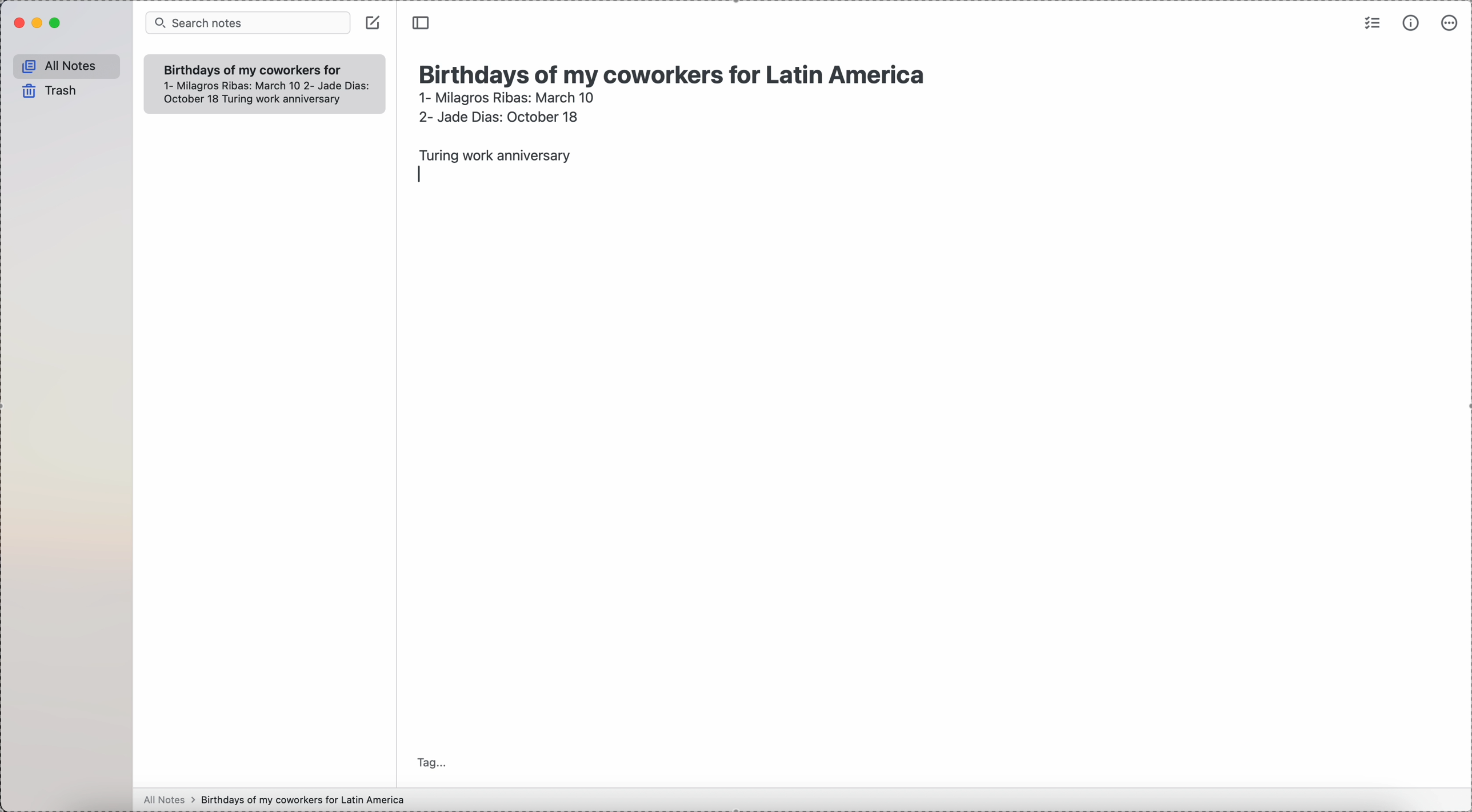 The width and height of the screenshot is (1472, 812). I want to click on all notes > birthdays of my coworkers for Latin America, so click(277, 799).